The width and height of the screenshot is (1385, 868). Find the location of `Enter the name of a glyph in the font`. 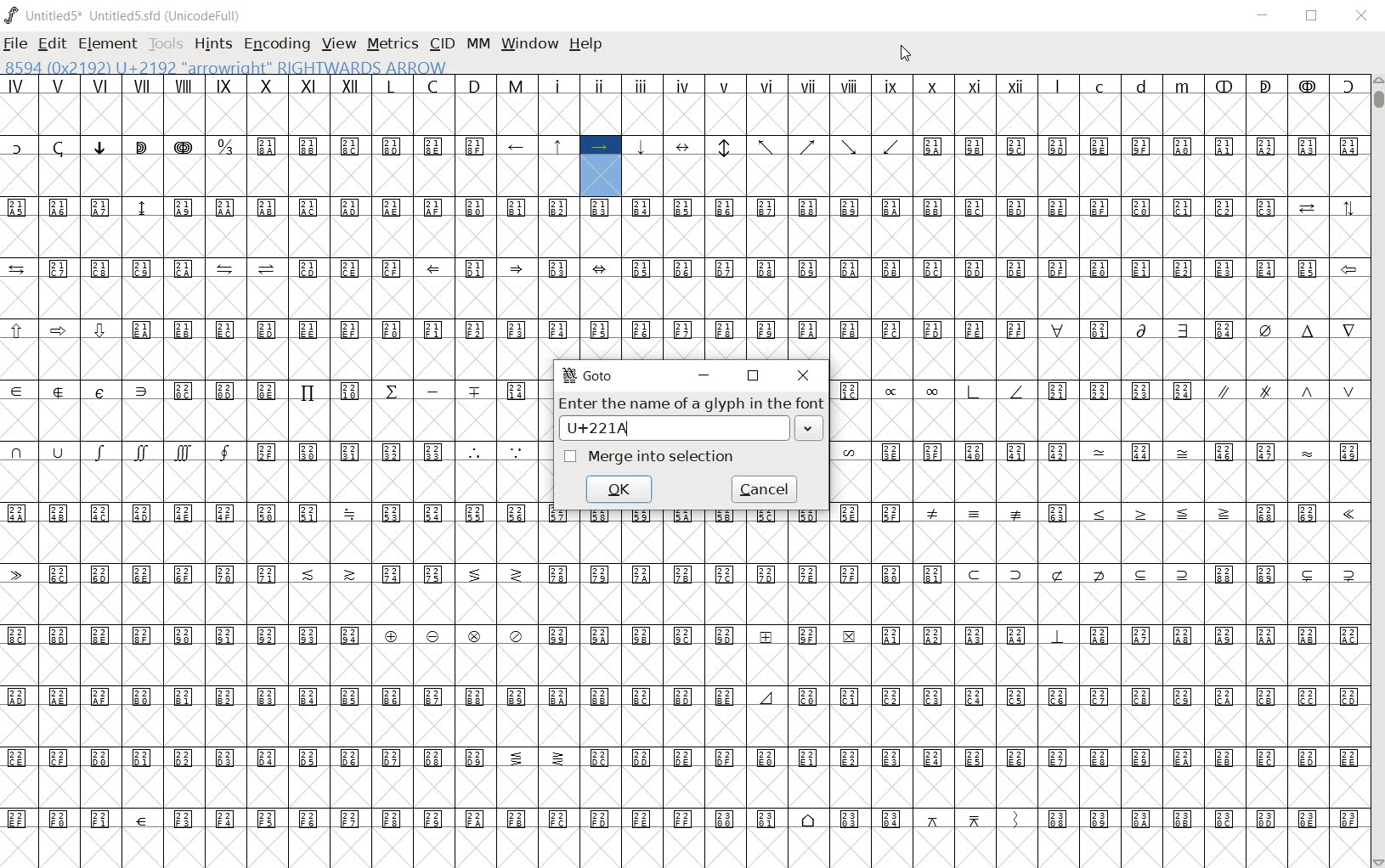

Enter the name of a glyph in the font is located at coordinates (691, 403).